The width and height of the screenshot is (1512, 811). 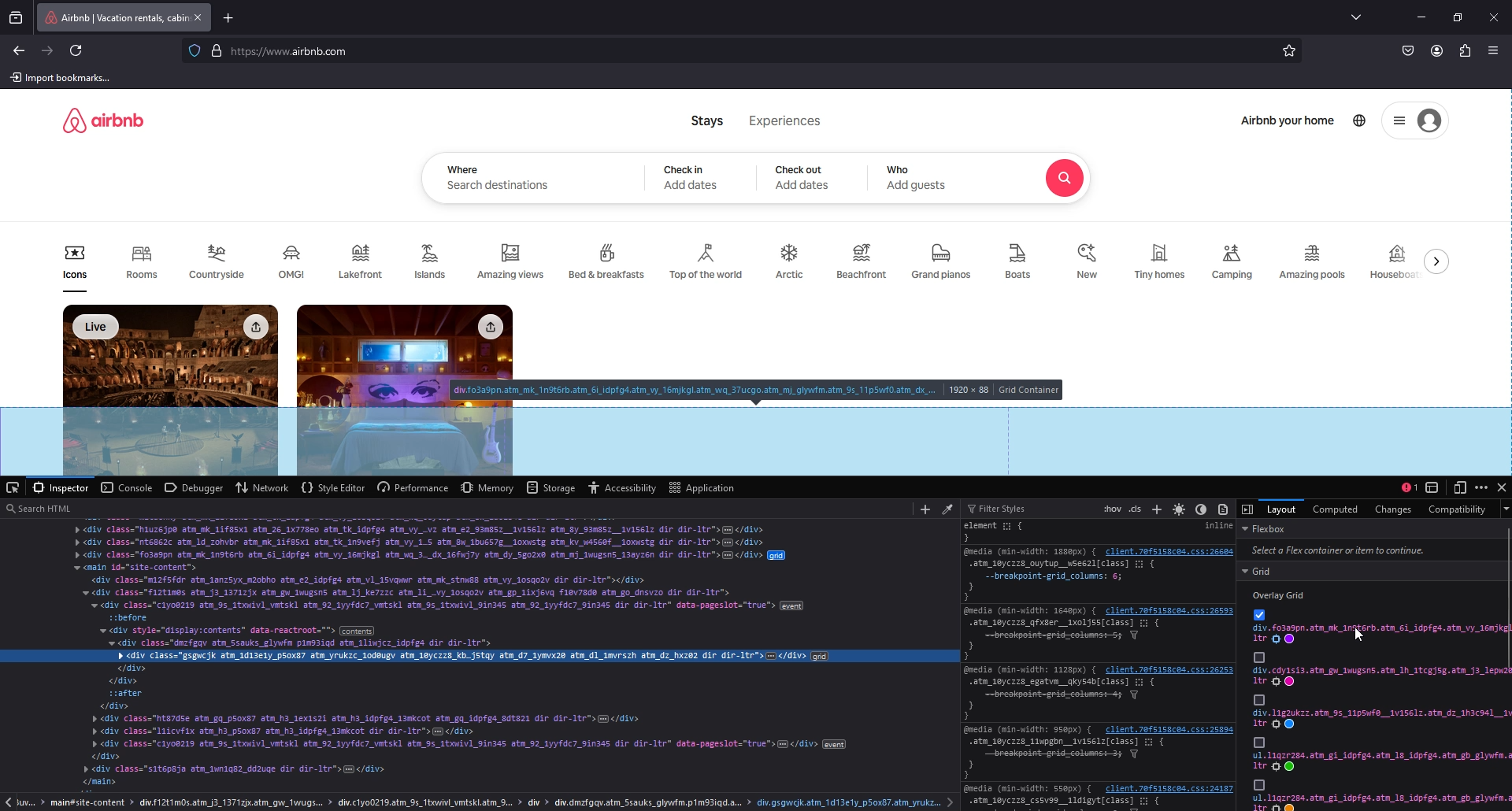 What do you see at coordinates (1281, 508) in the screenshot?
I see `layout` at bounding box center [1281, 508].